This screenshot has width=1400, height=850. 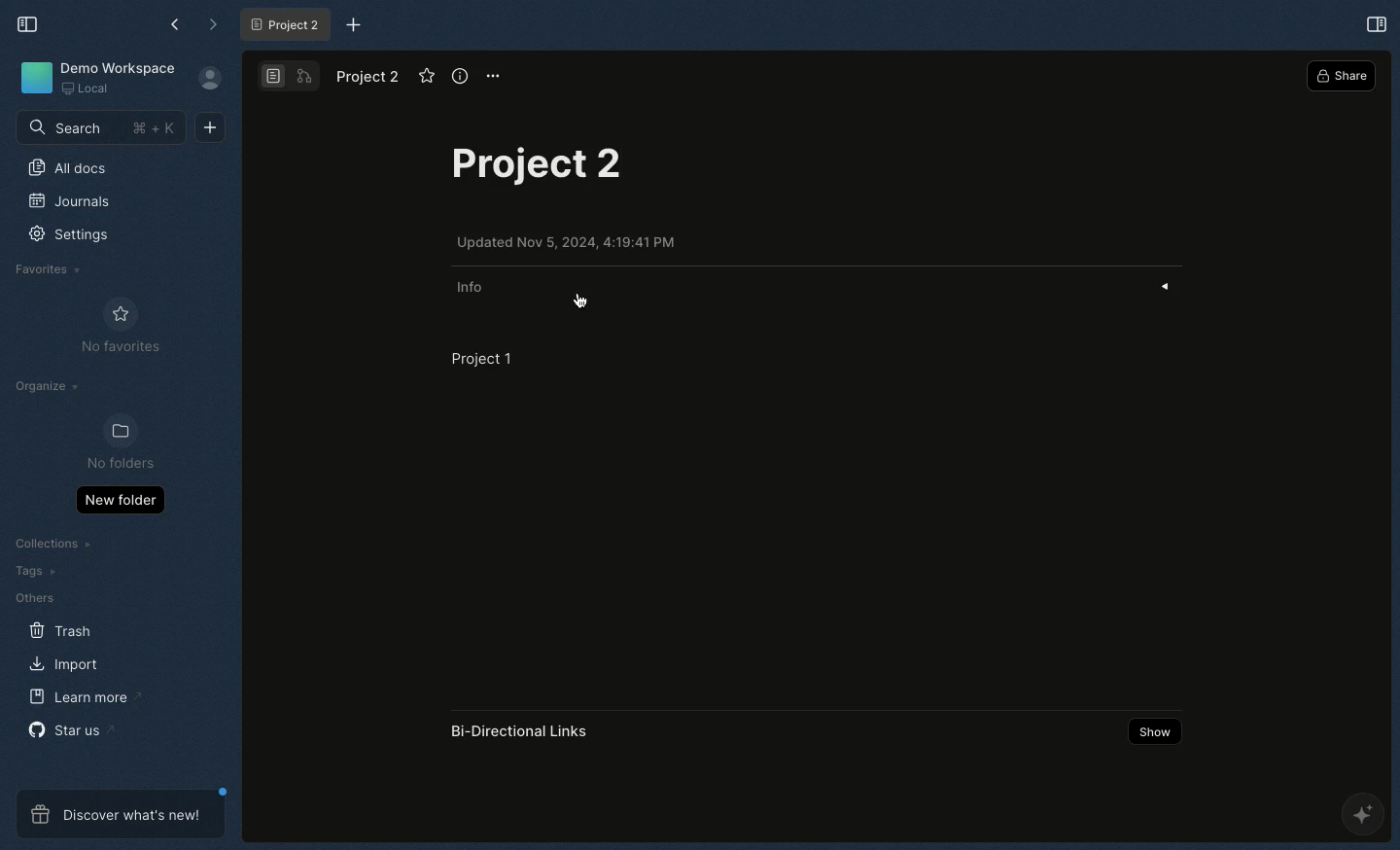 What do you see at coordinates (50, 270) in the screenshot?
I see `Favourites` at bounding box center [50, 270].